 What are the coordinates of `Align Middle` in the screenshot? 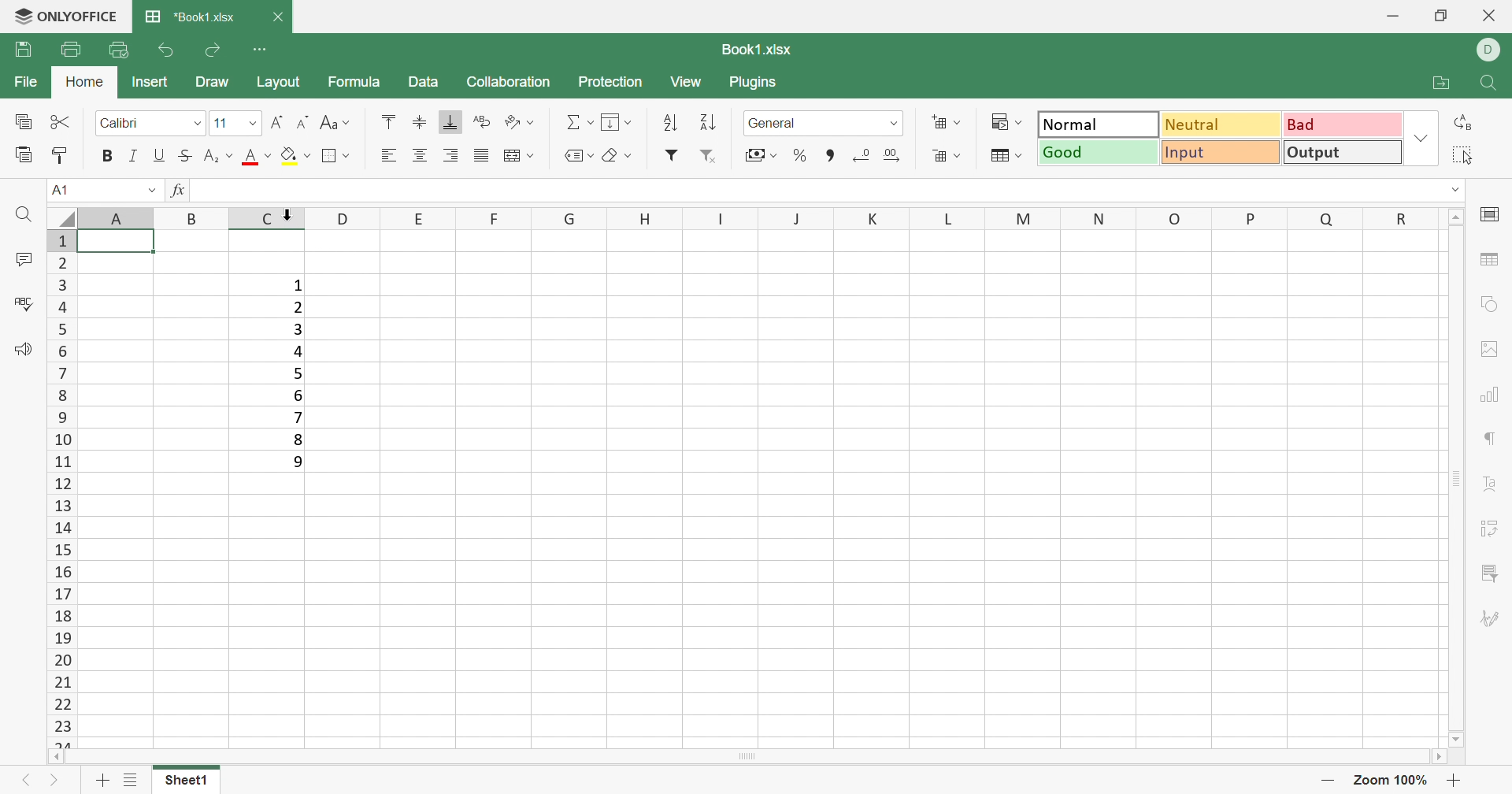 It's located at (419, 121).